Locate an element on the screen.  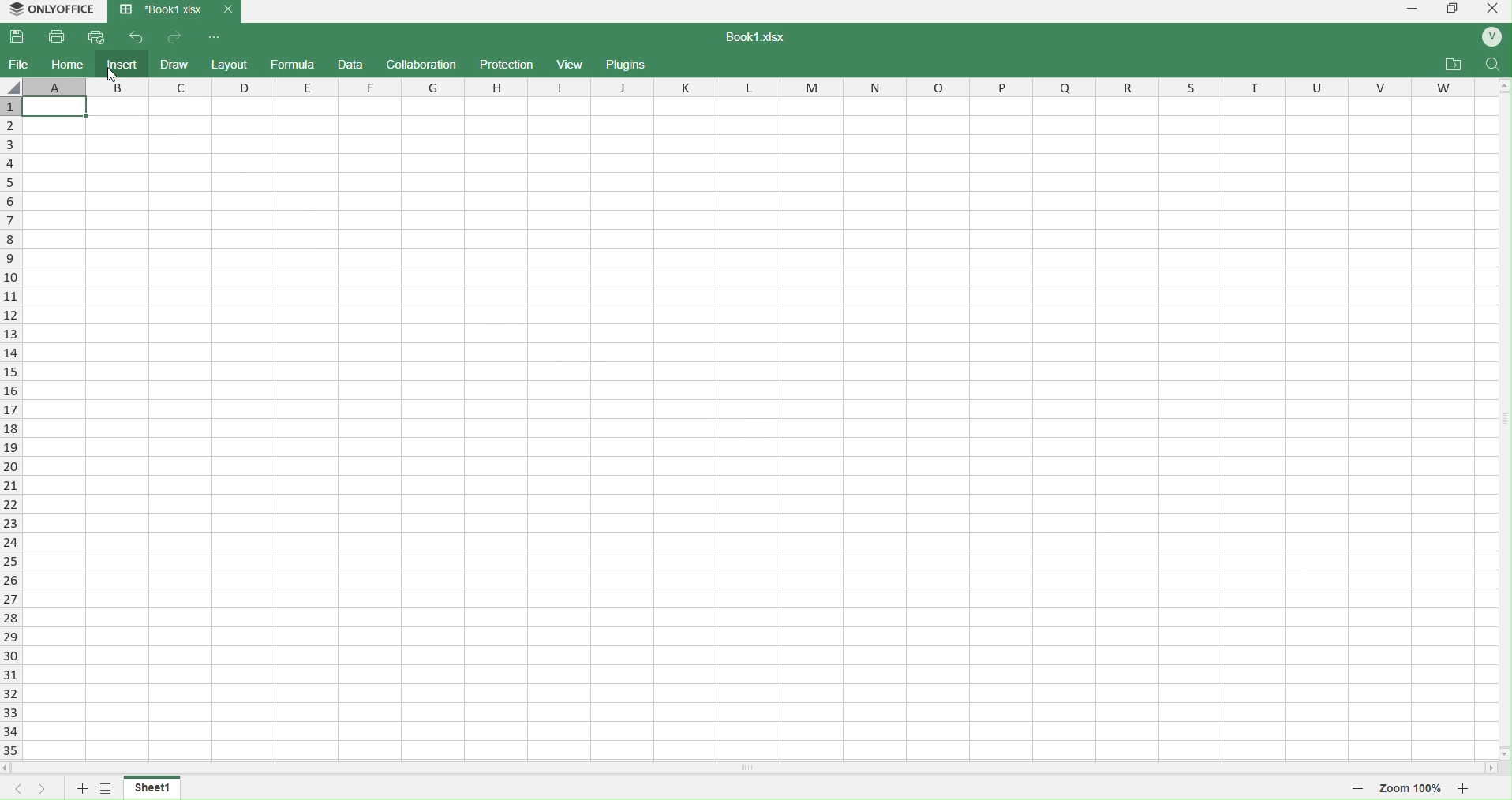
attachments is located at coordinates (1453, 65).